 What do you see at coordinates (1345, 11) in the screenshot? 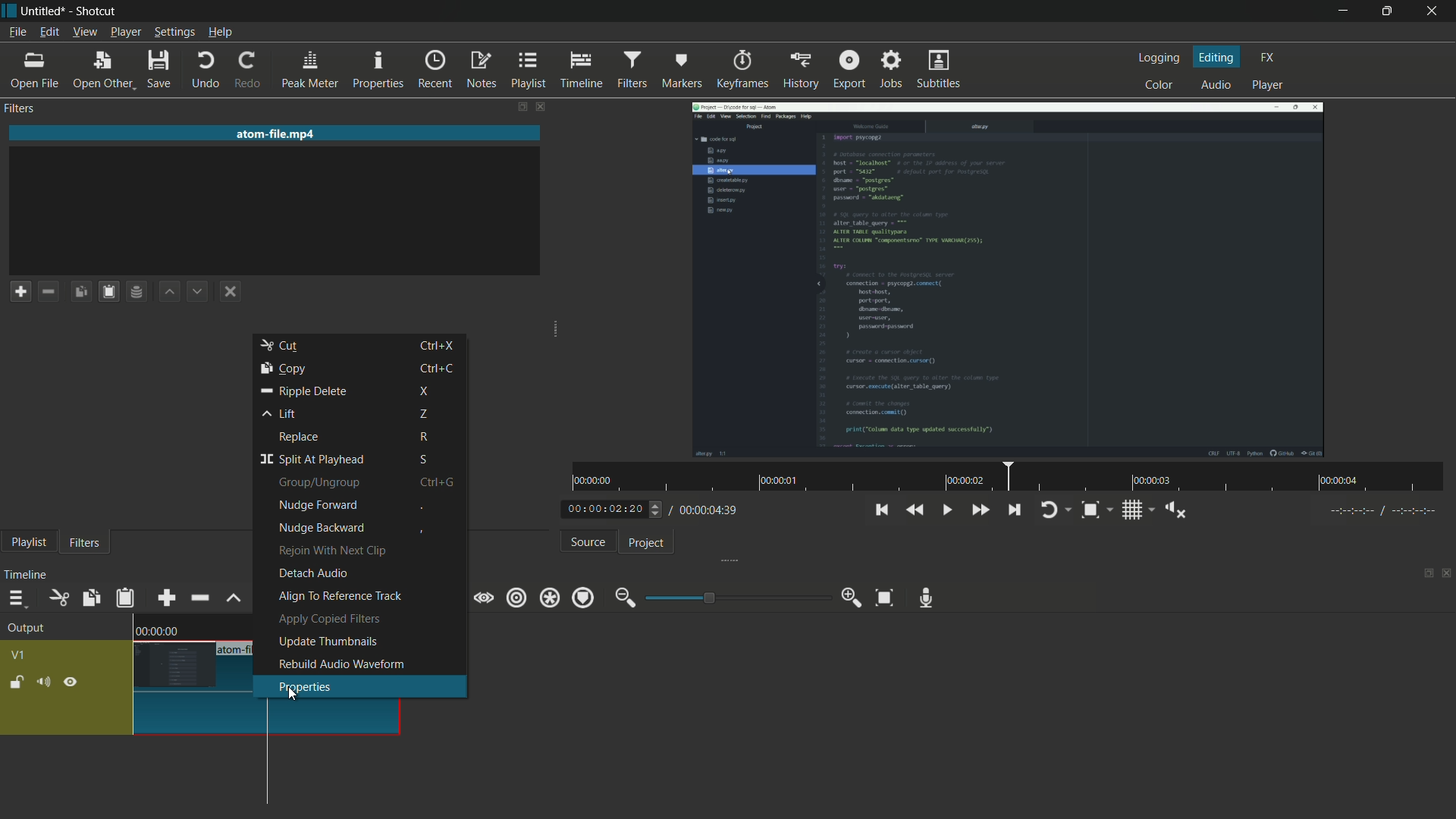
I see `minimize` at bounding box center [1345, 11].